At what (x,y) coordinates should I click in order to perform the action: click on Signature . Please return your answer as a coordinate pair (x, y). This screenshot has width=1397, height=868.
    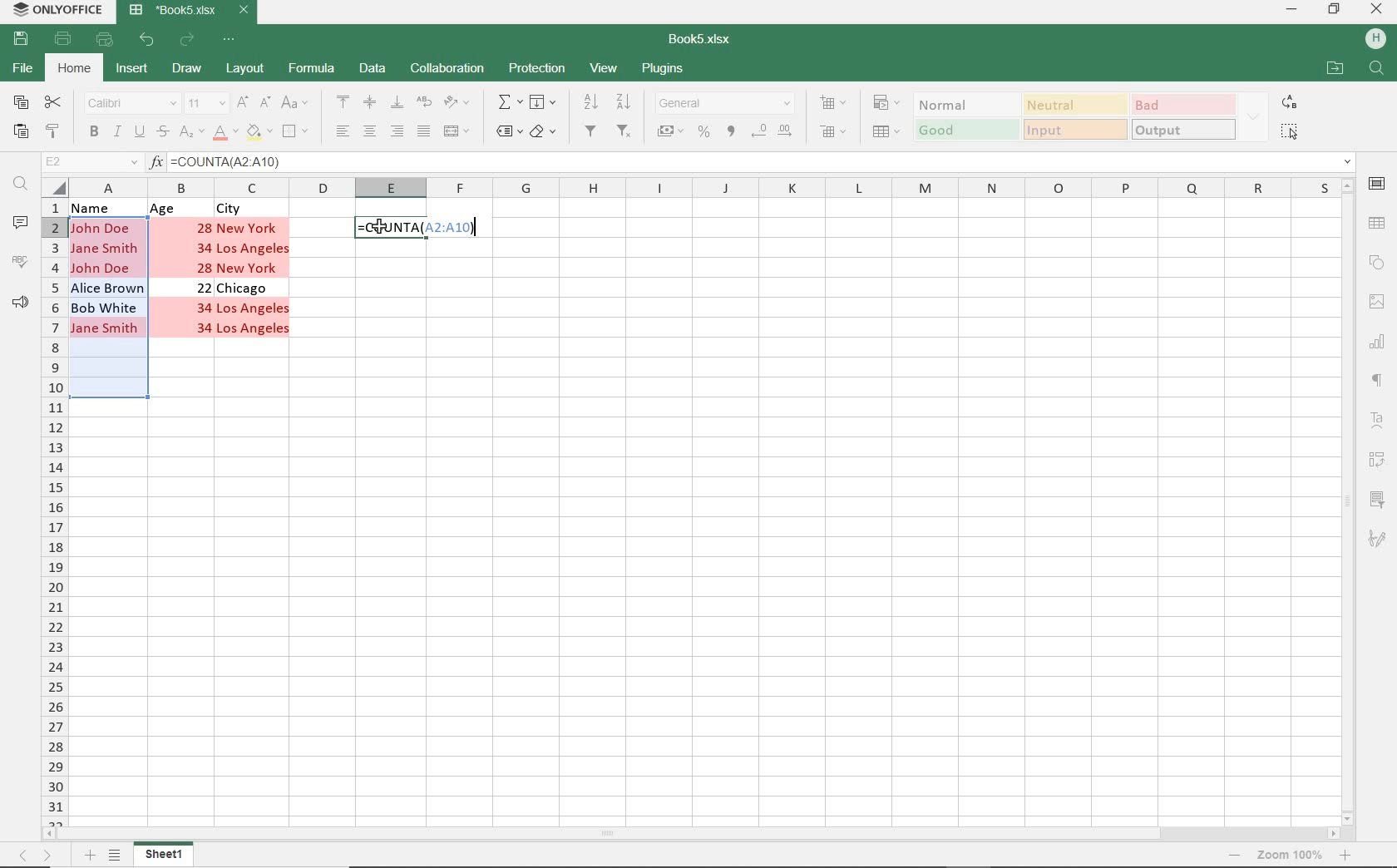
    Looking at the image, I should click on (1378, 540).